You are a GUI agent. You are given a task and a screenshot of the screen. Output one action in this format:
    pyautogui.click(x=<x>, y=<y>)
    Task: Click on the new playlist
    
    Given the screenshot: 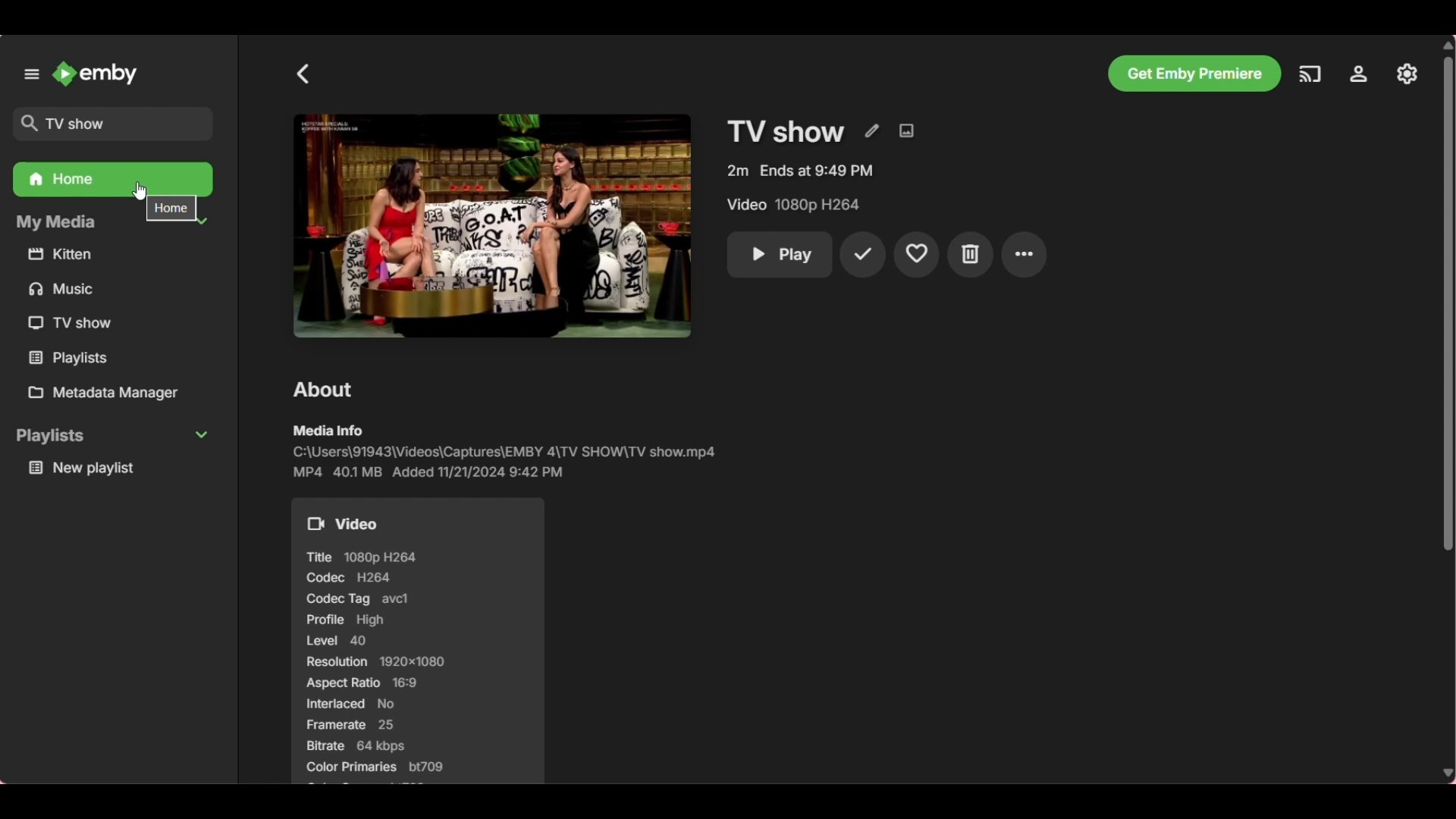 What is the action you would take?
    pyautogui.click(x=115, y=469)
    